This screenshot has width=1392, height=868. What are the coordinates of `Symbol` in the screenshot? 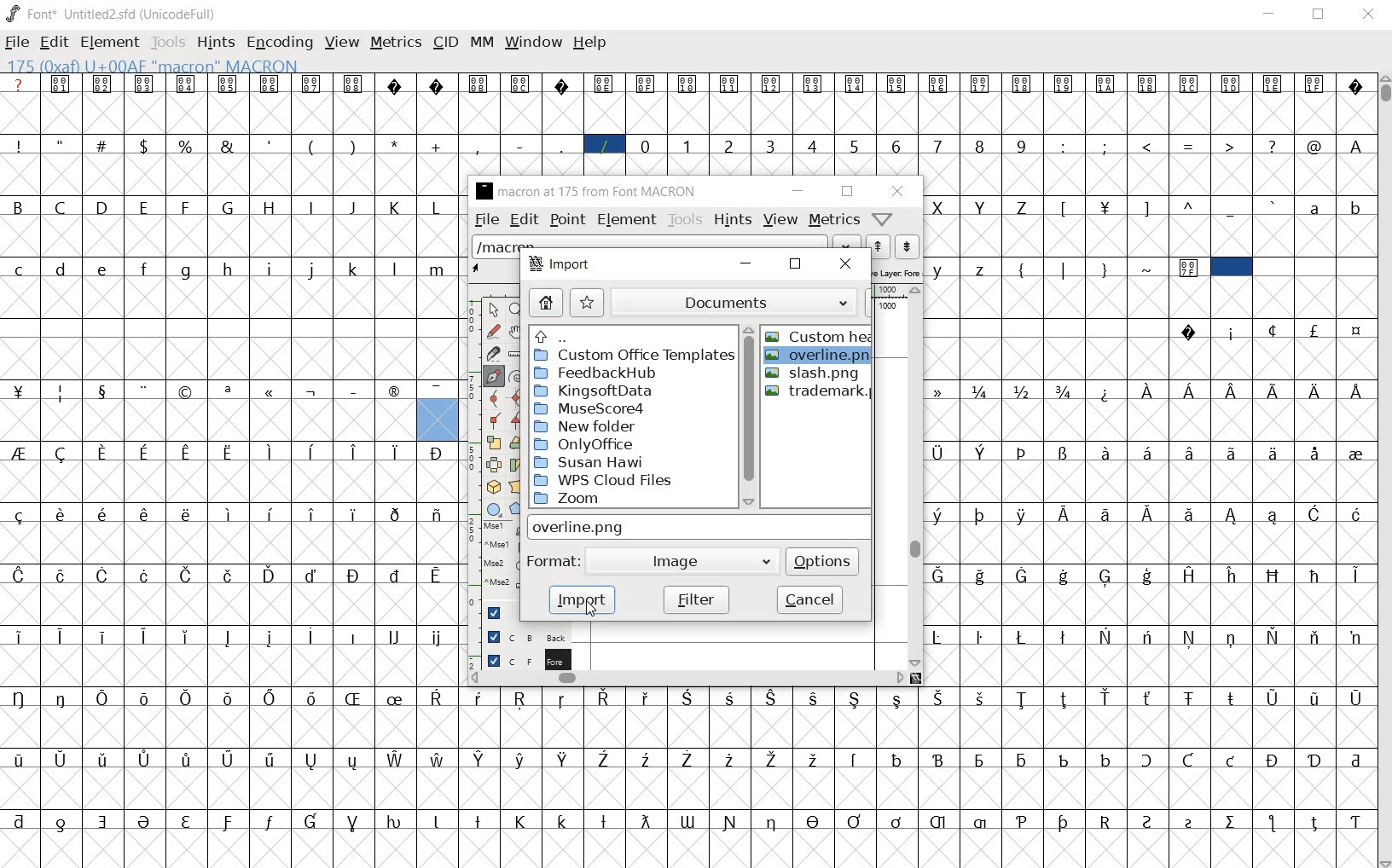 It's located at (63, 819).